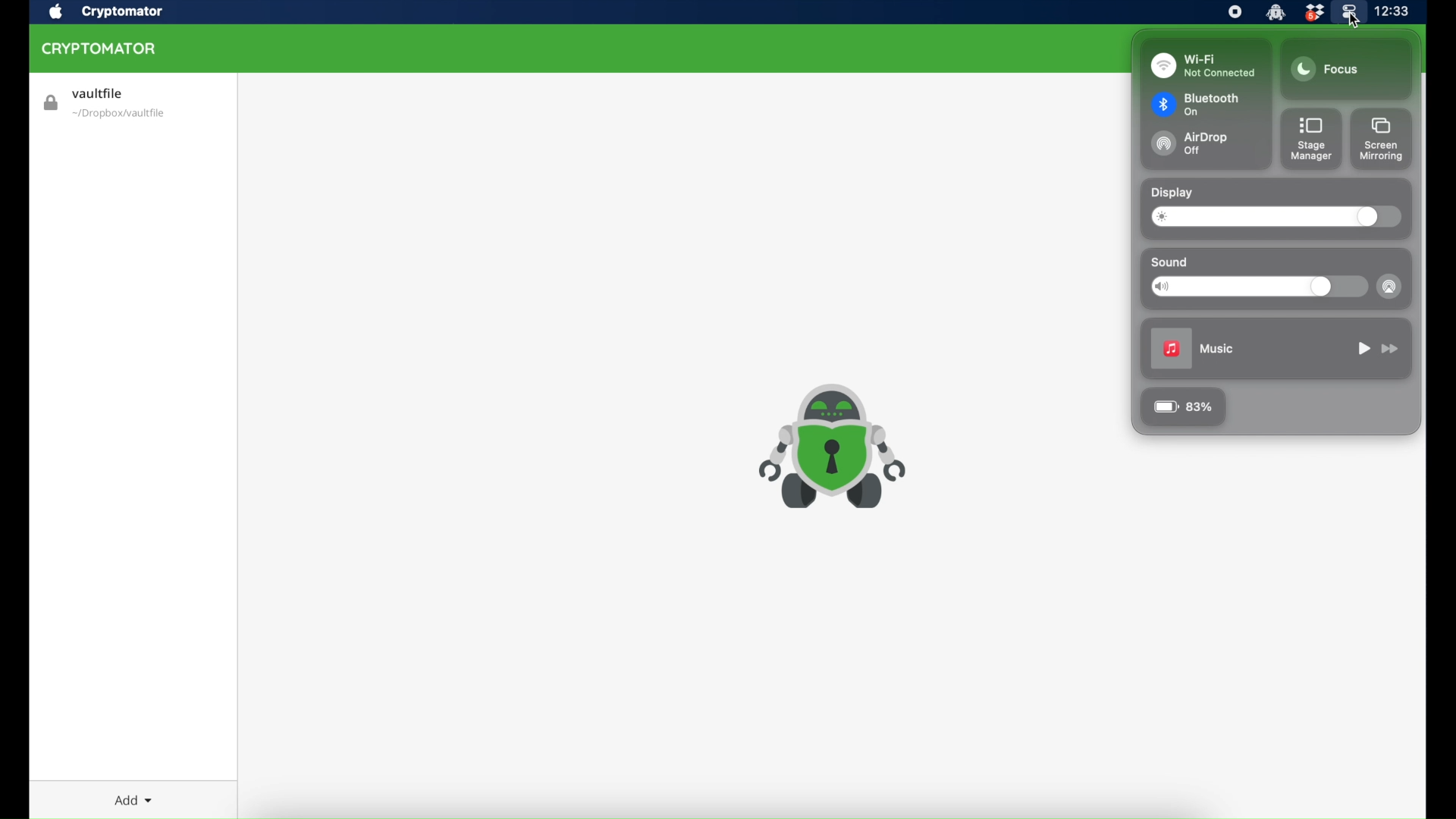 This screenshot has height=819, width=1456. What do you see at coordinates (1314, 11) in the screenshot?
I see `dropbox icon` at bounding box center [1314, 11].